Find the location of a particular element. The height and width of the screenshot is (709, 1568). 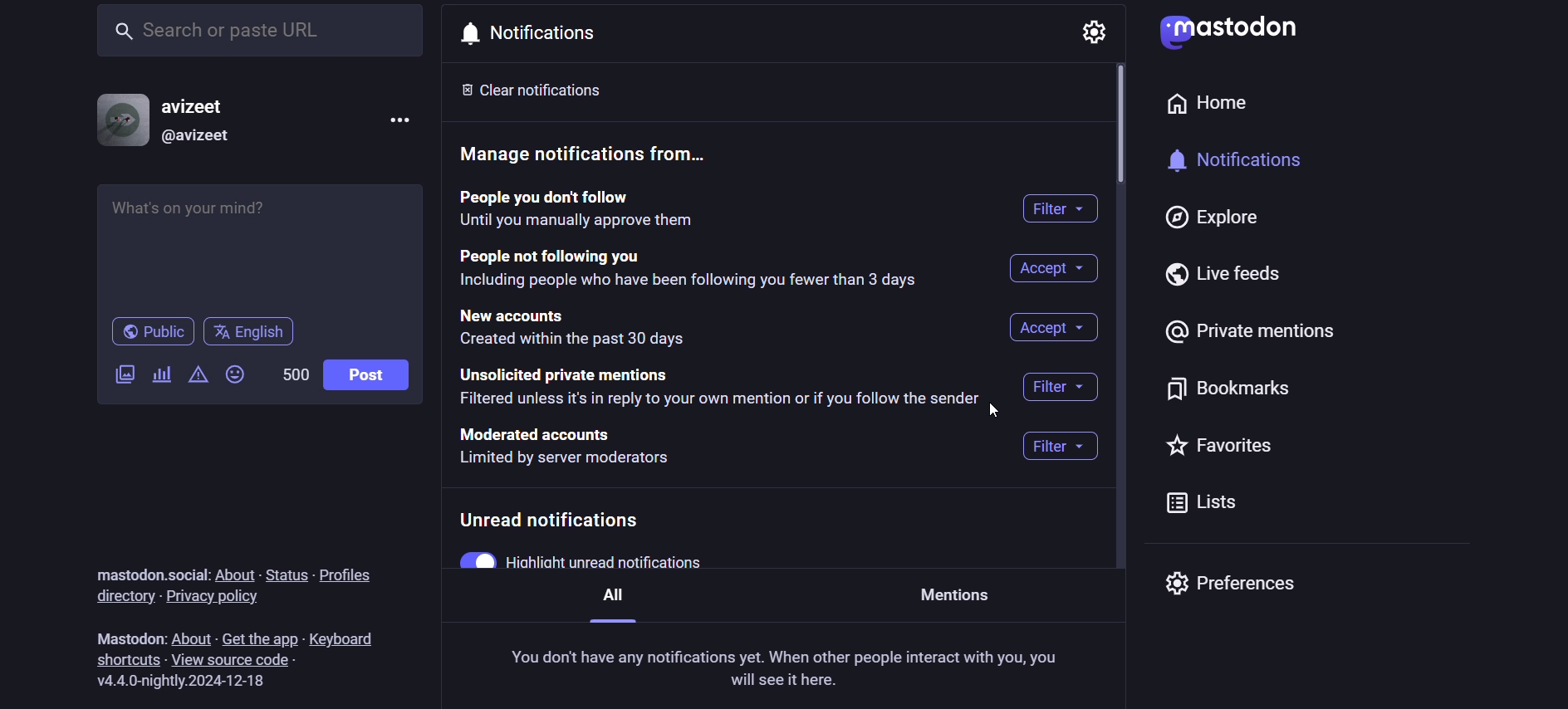

favorites is located at coordinates (1227, 447).